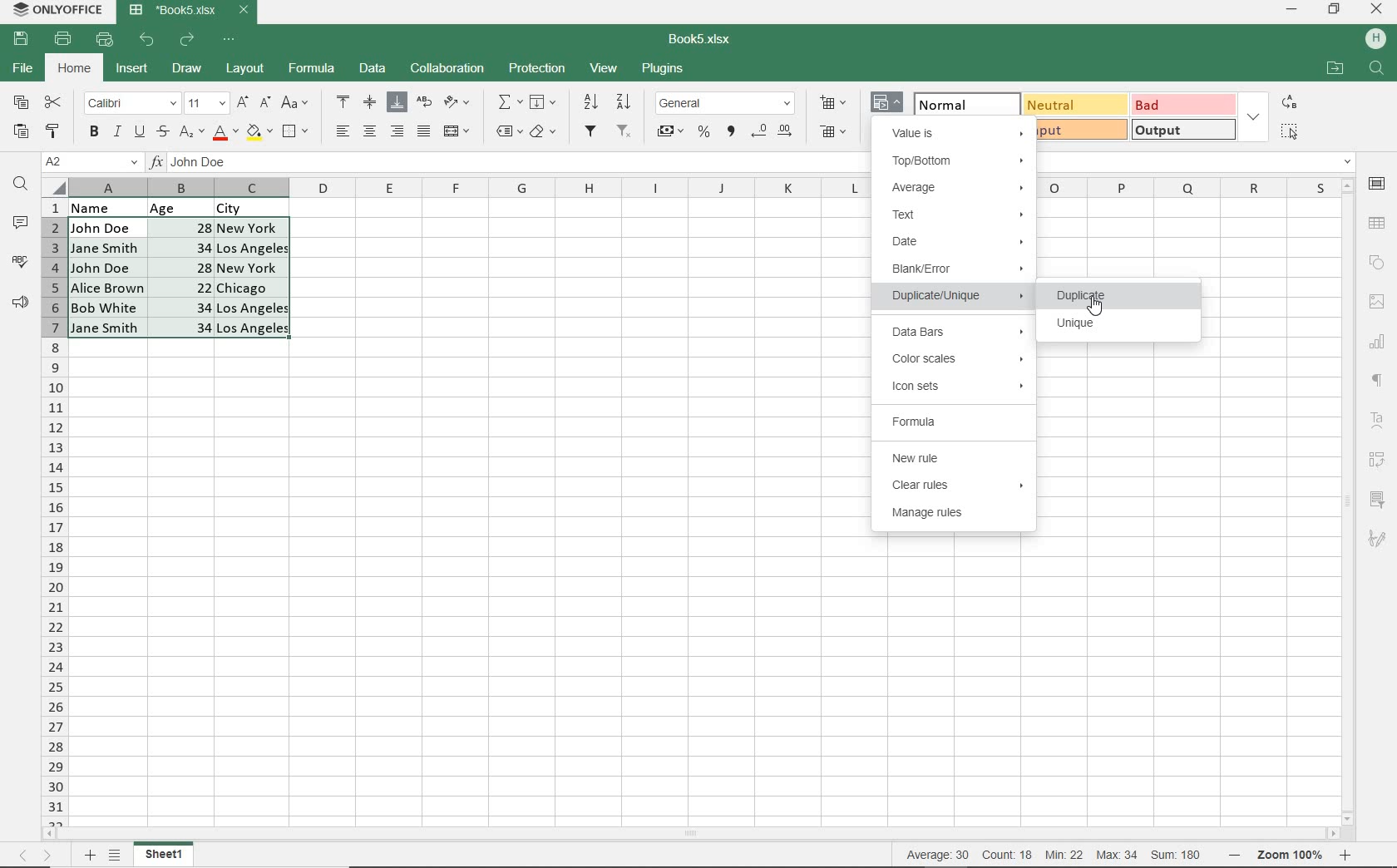  What do you see at coordinates (959, 186) in the screenshot?
I see `AVERAGE` at bounding box center [959, 186].